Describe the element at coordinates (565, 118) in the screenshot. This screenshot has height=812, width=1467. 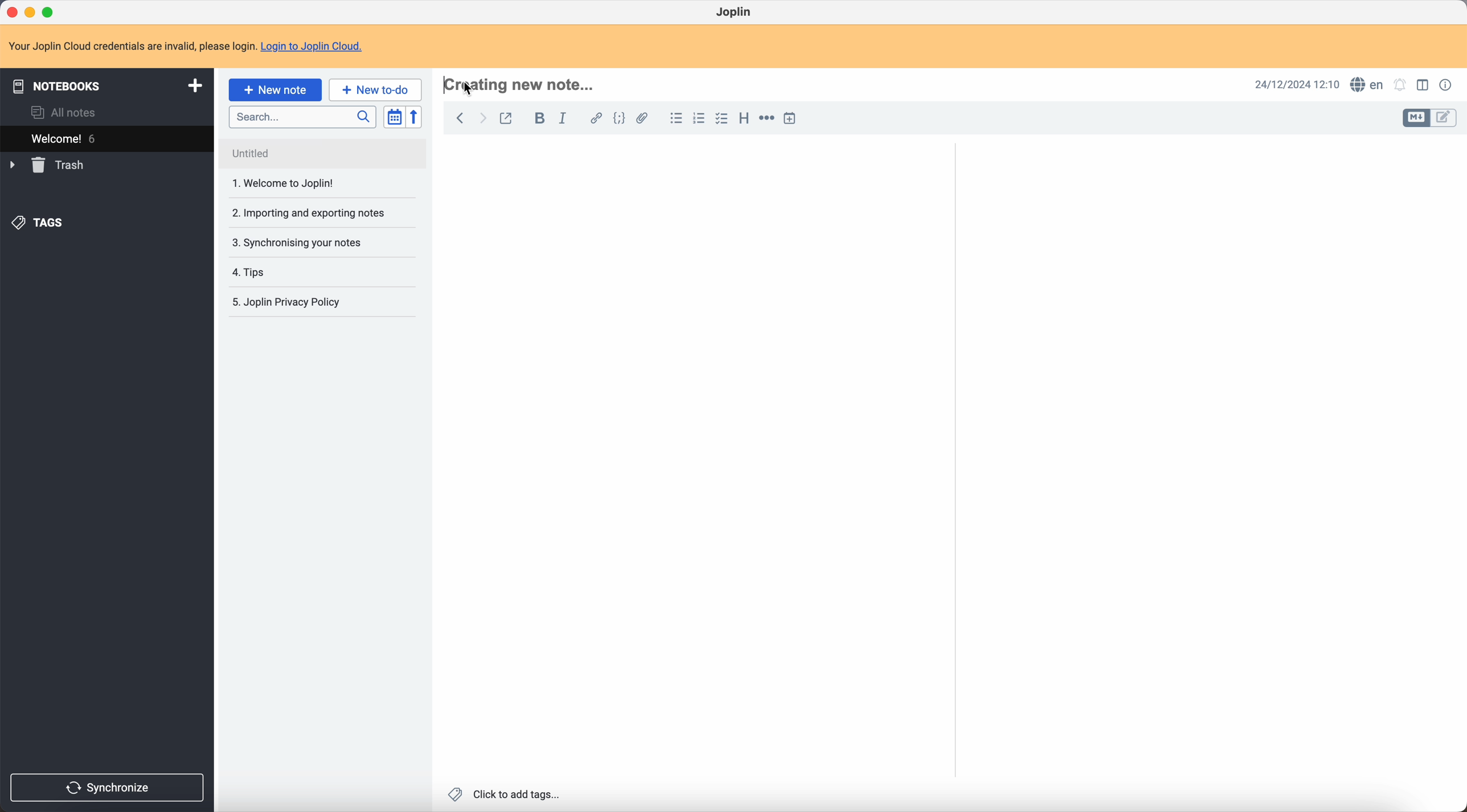
I see `italic` at that location.